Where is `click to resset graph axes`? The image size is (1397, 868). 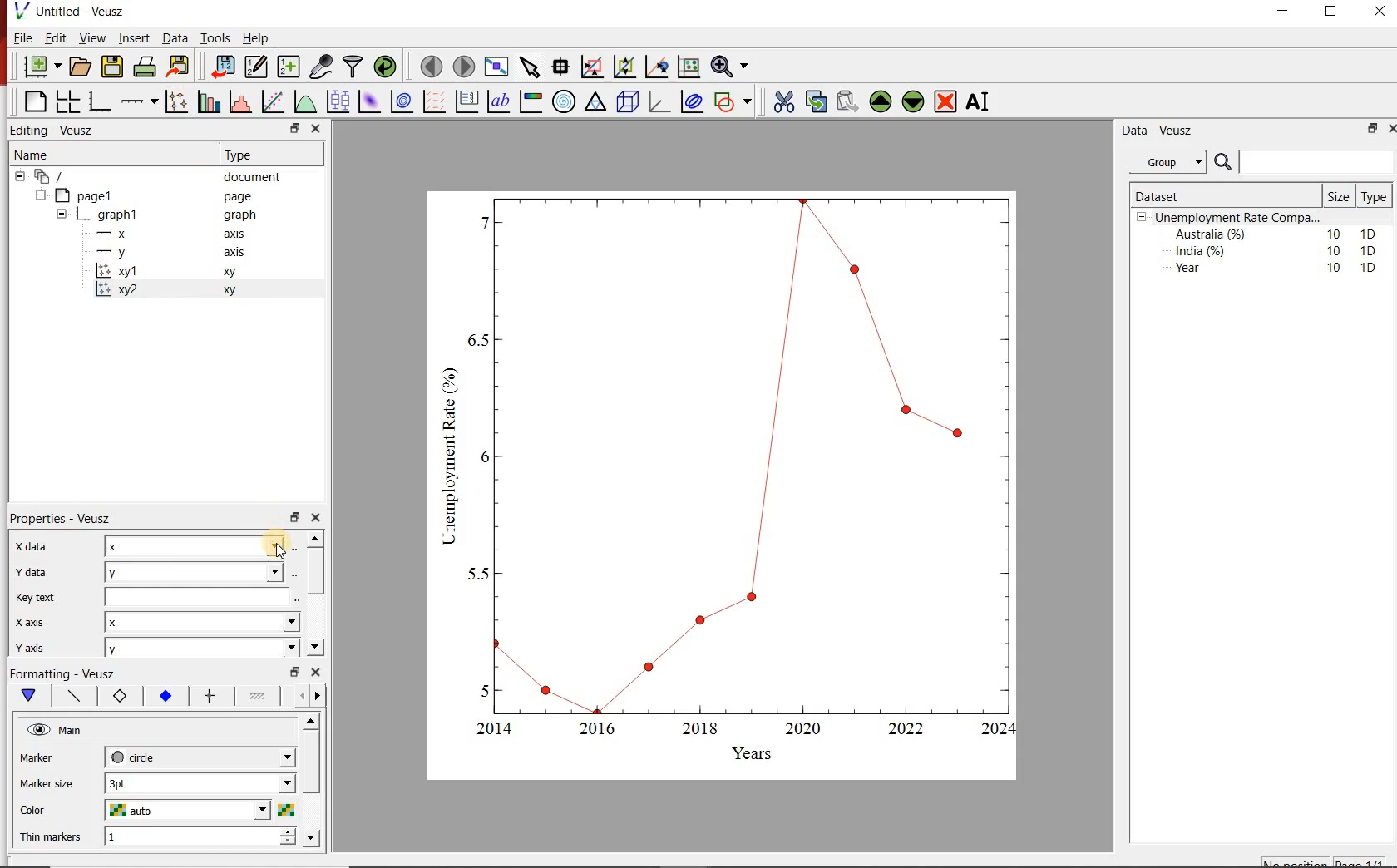 click to resset graph axes is located at coordinates (689, 65).